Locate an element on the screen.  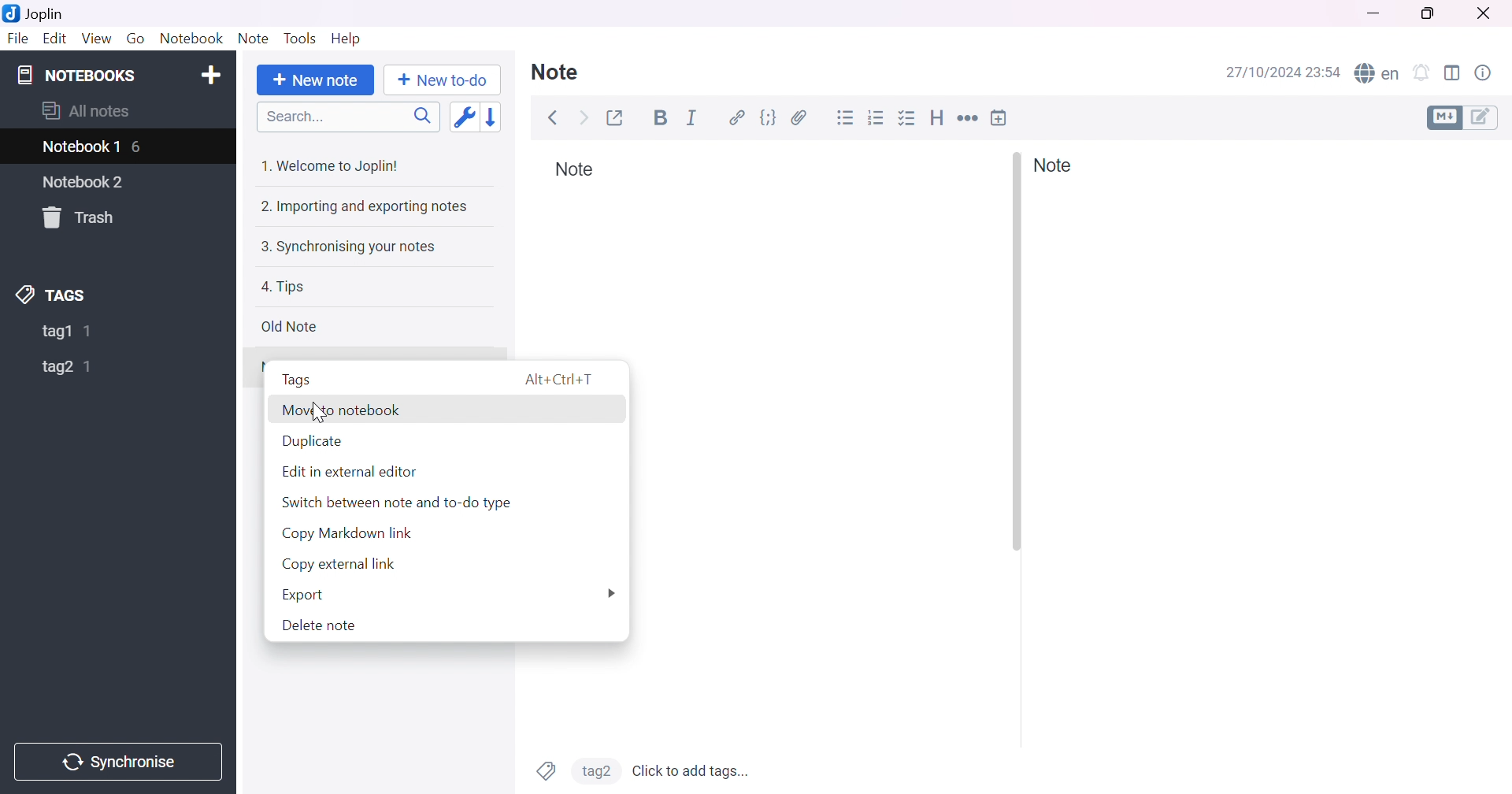
Copy markdown link is located at coordinates (348, 534).